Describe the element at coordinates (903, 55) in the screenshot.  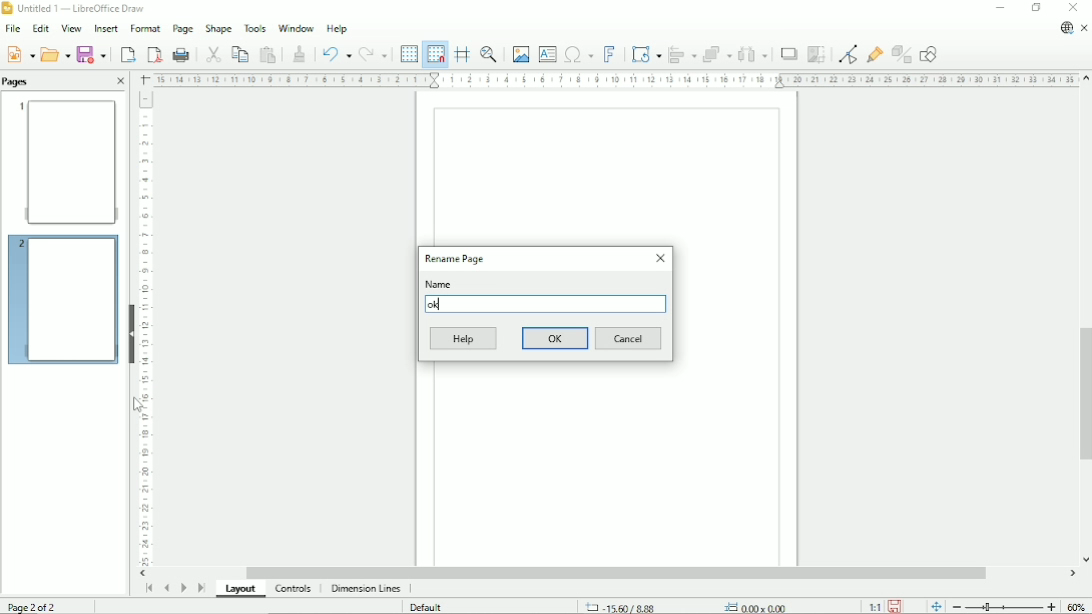
I see `Toggle extrusion` at that location.